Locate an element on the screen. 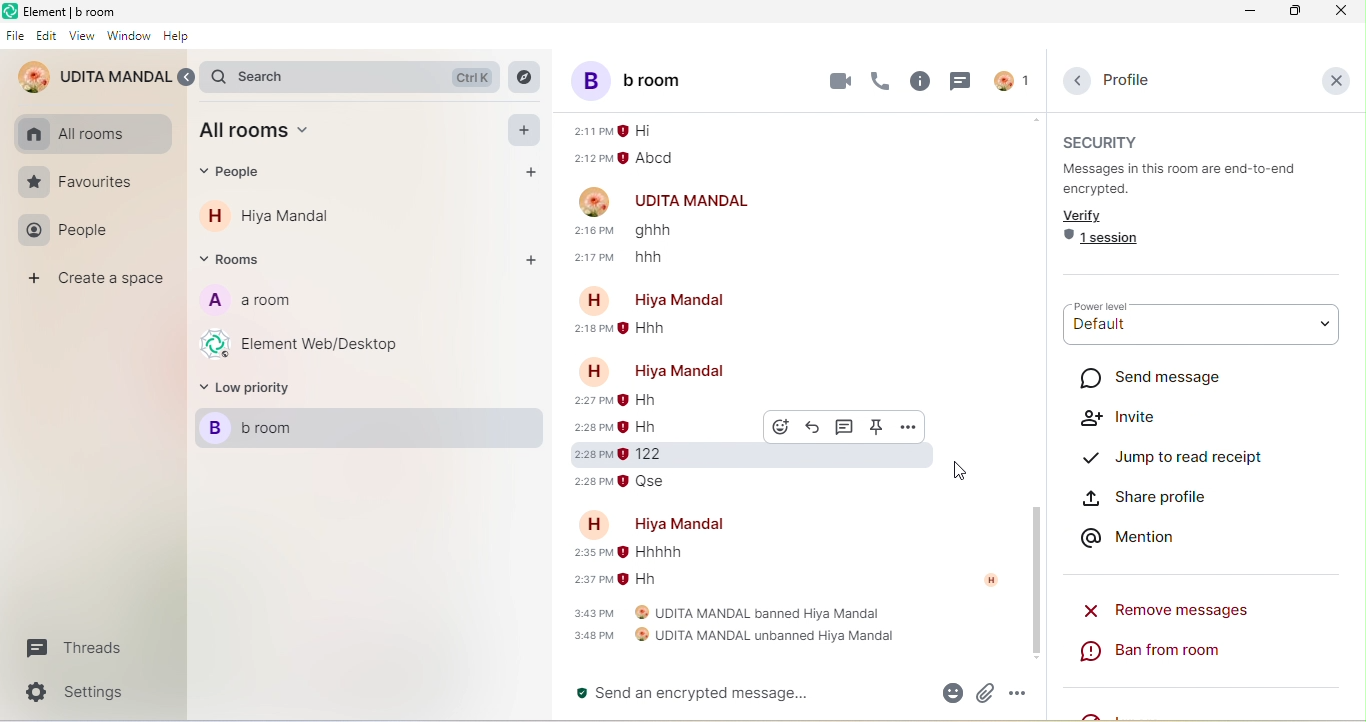 The width and height of the screenshot is (1366, 722). element b room is located at coordinates (76, 11).